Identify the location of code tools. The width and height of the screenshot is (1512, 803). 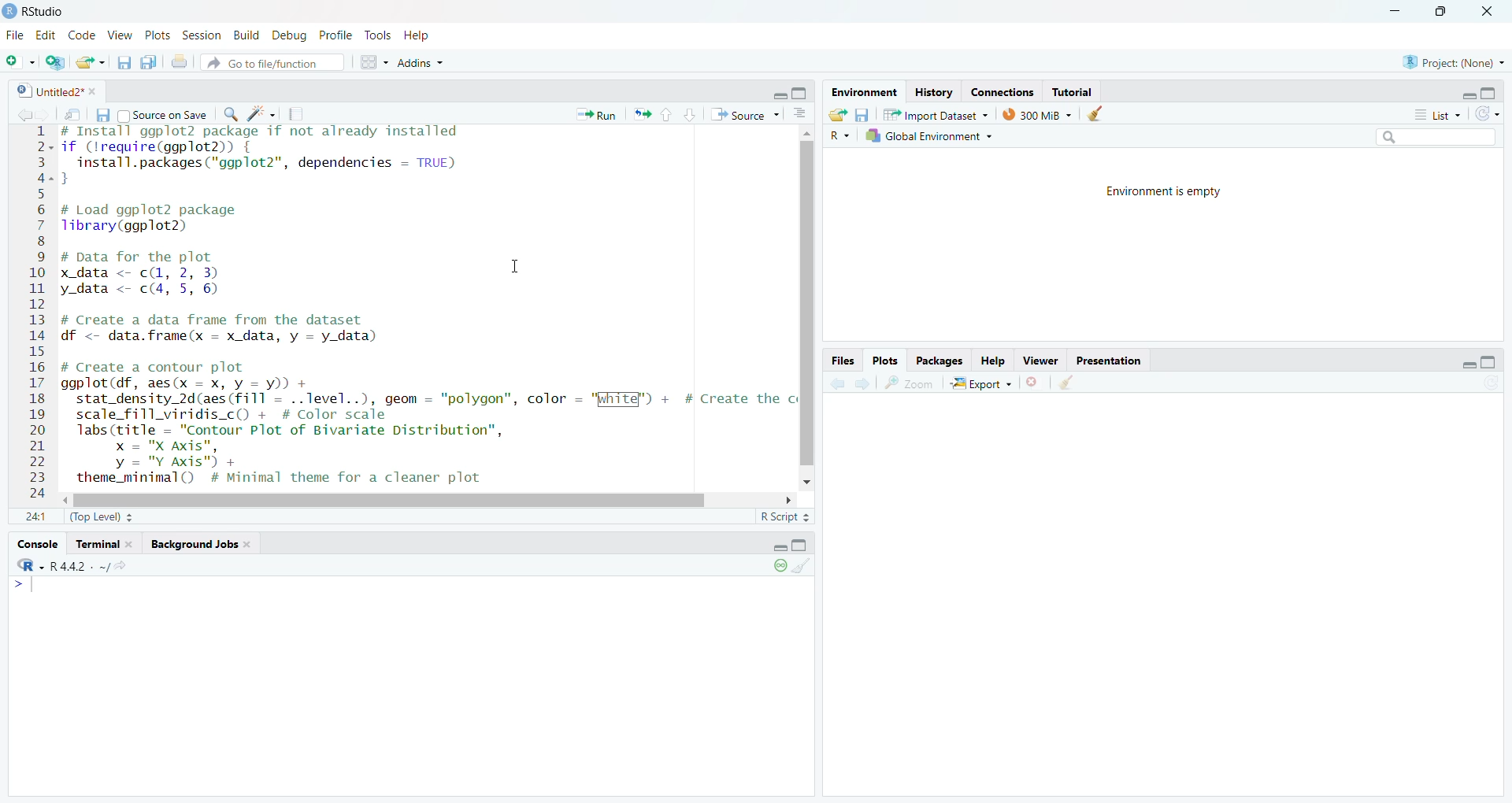
(262, 115).